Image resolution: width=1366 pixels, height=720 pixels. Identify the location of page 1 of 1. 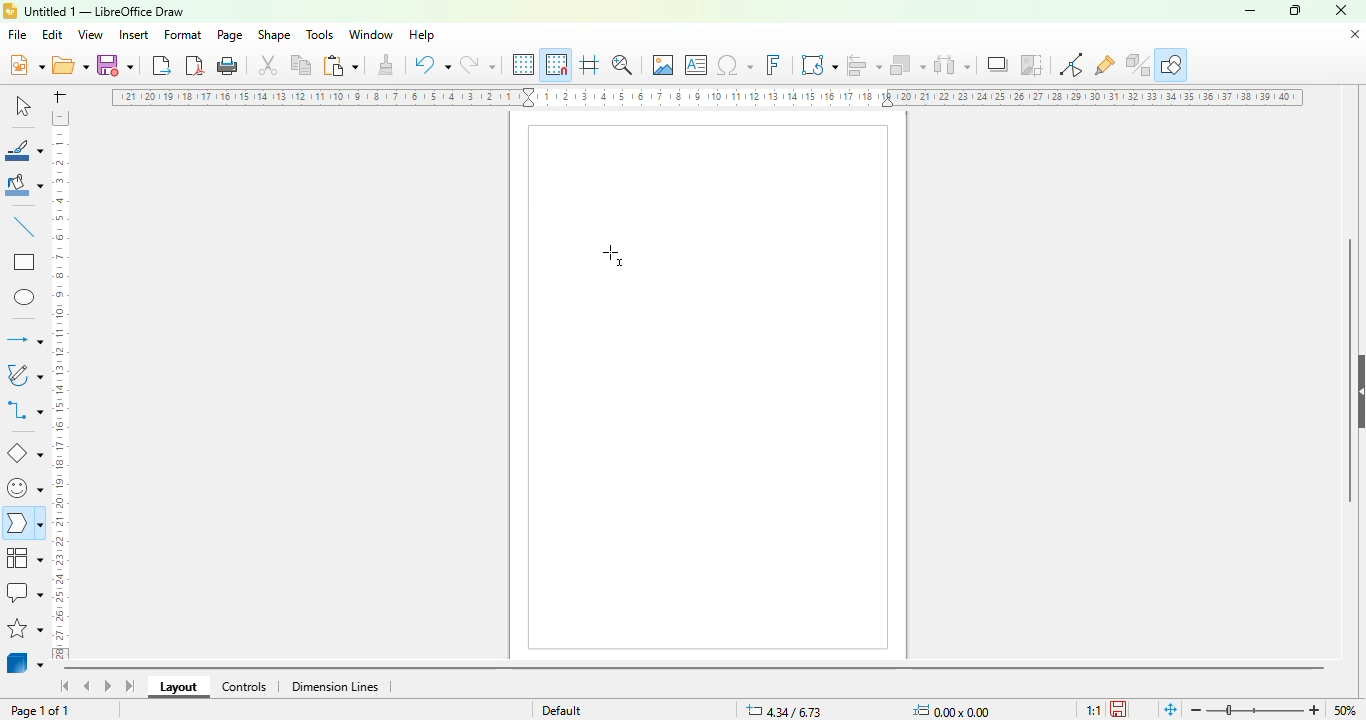
(40, 711).